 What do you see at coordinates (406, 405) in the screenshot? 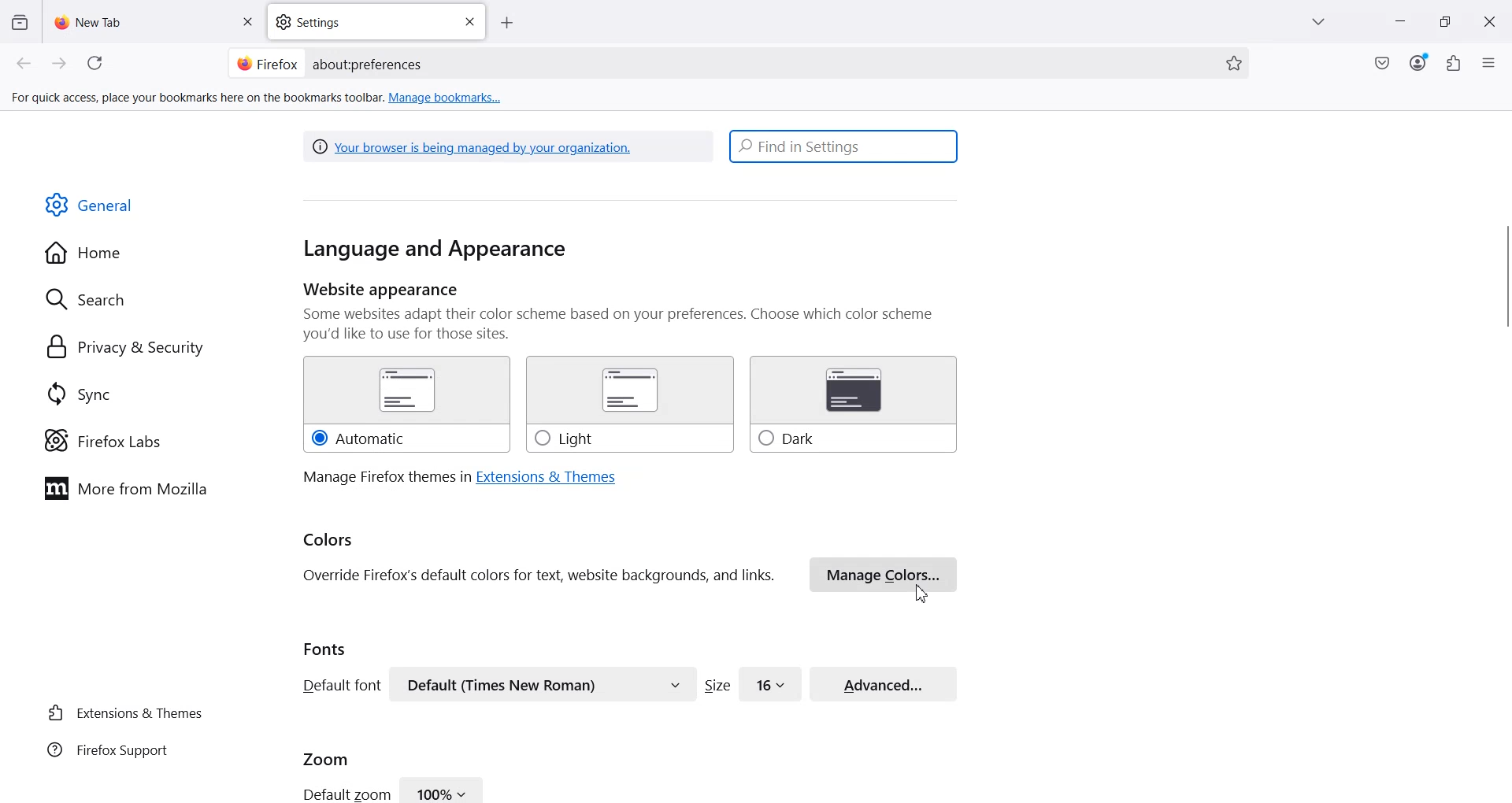
I see `@ Automatic` at bounding box center [406, 405].